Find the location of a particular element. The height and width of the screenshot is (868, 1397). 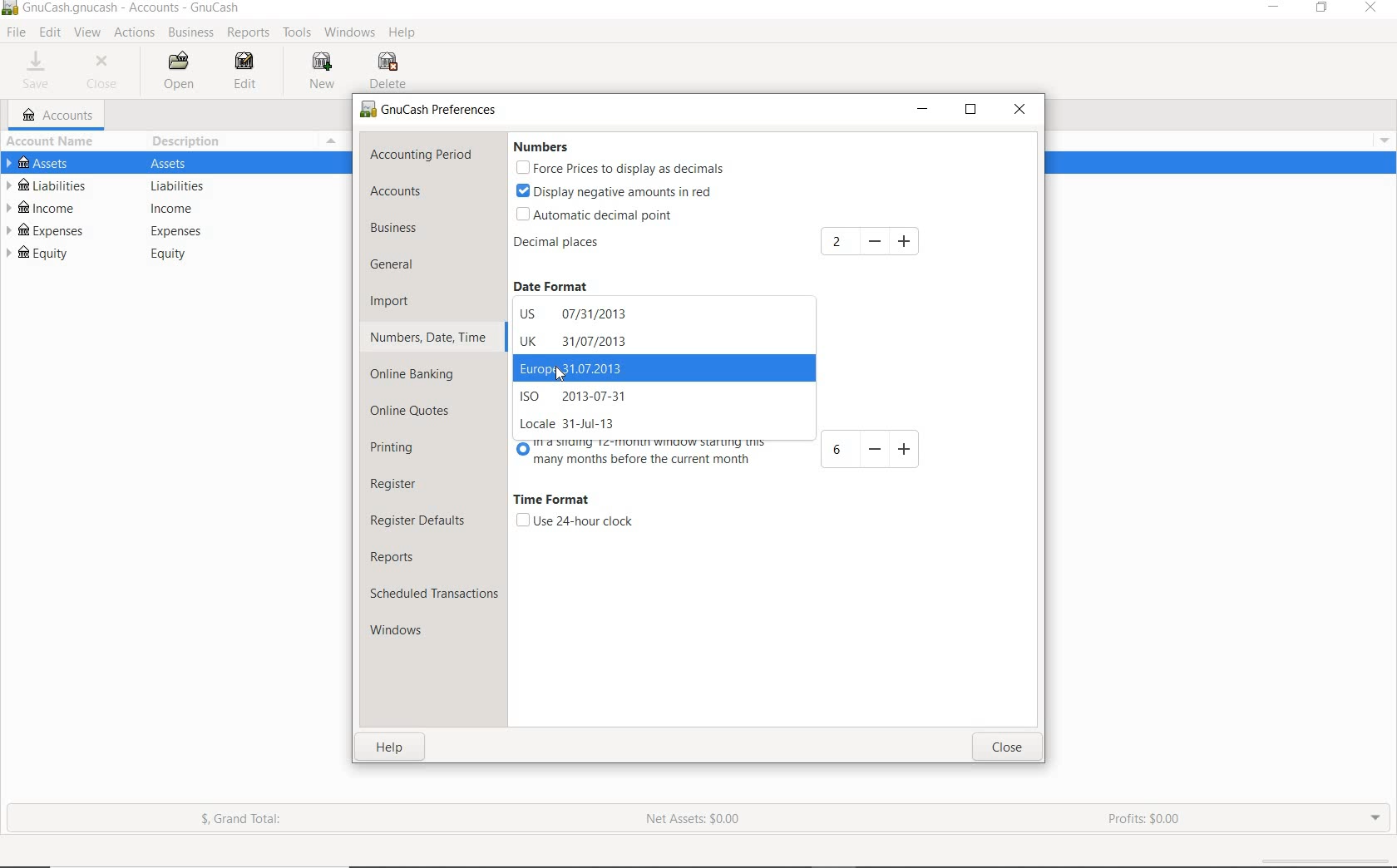

online quotes is located at coordinates (417, 412).